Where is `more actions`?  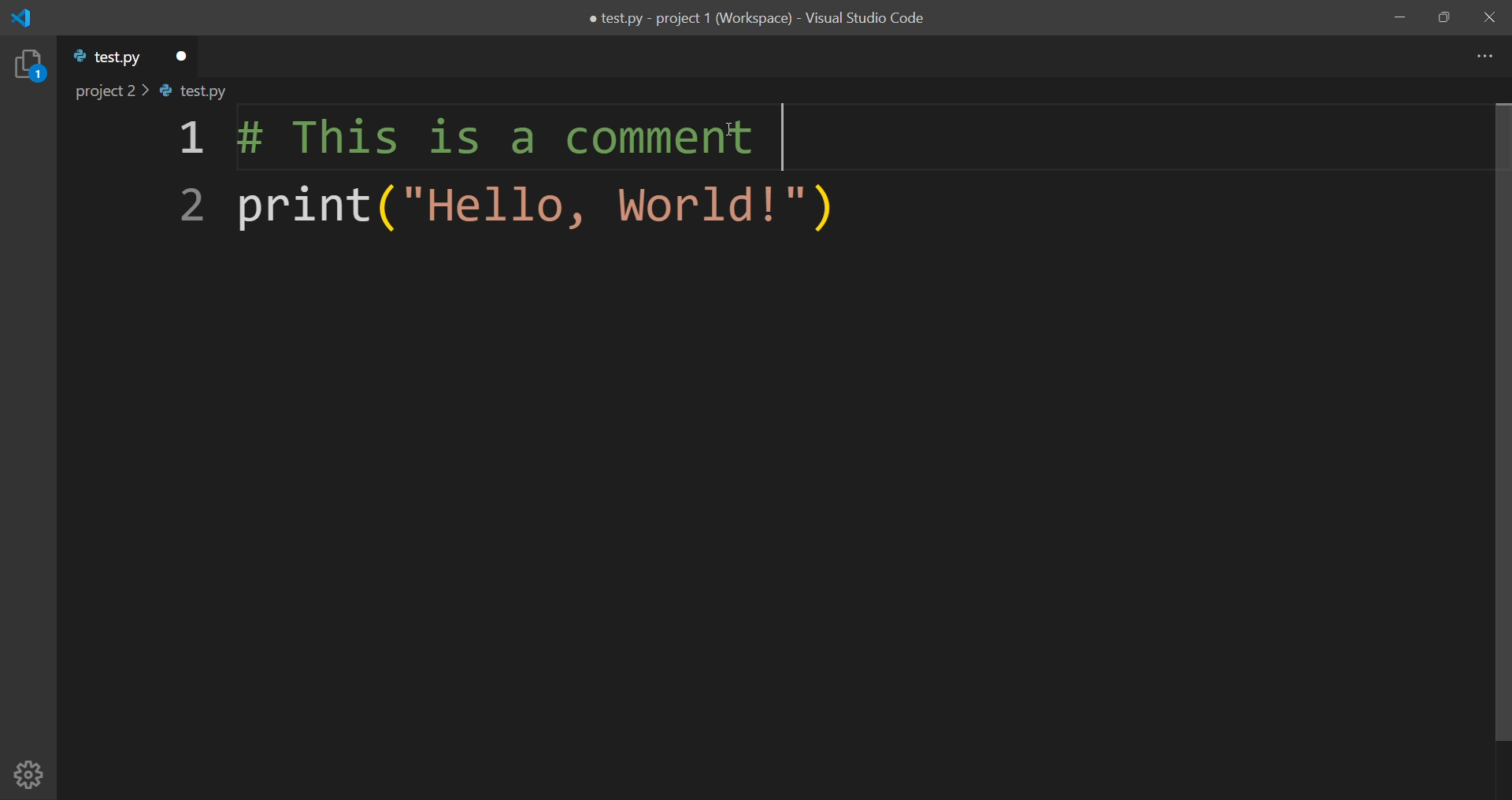 more actions is located at coordinates (1481, 56).